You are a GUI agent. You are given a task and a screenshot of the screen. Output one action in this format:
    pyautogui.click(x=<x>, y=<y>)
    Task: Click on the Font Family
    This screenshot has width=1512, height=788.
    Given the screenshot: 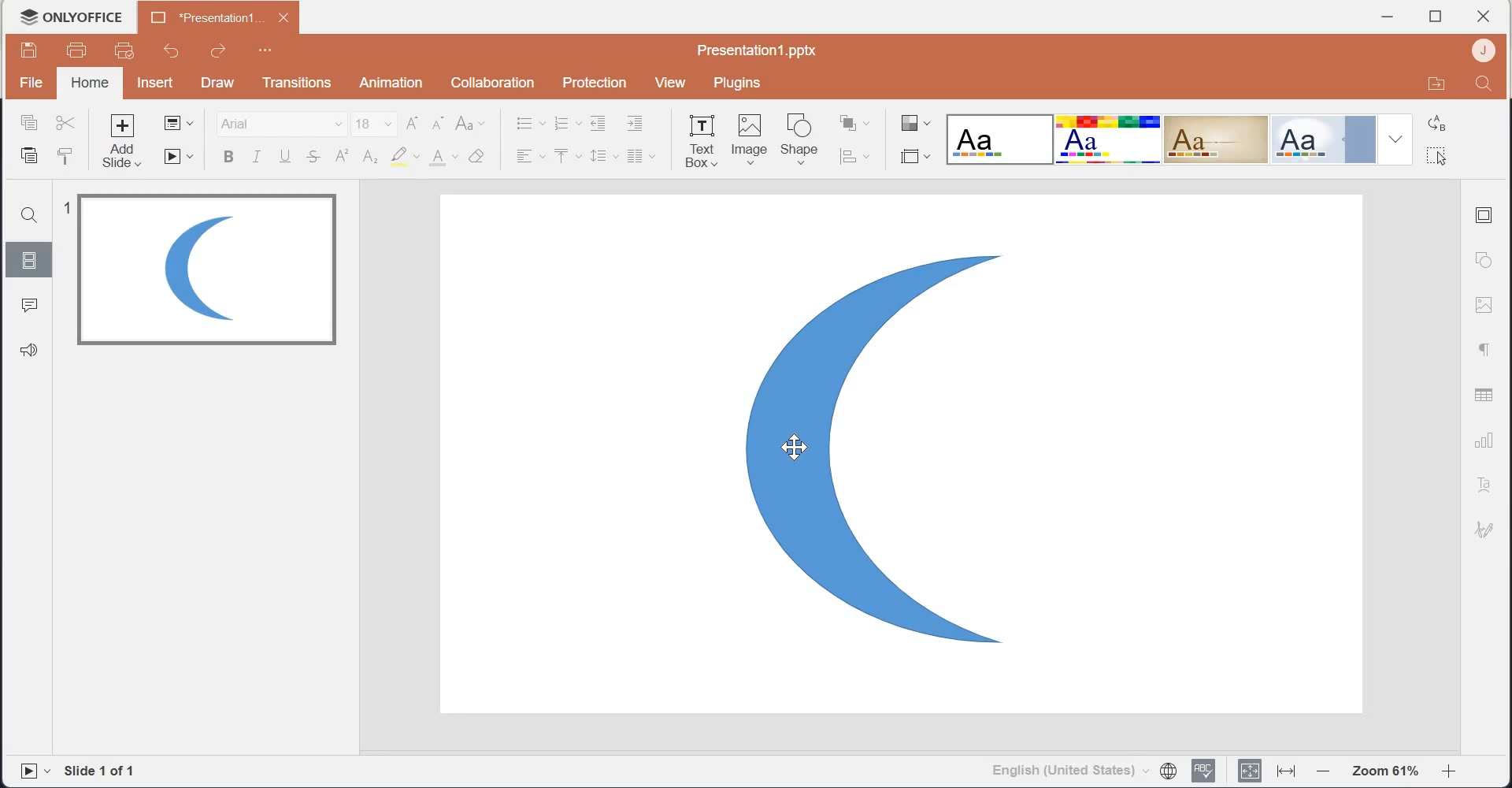 What is the action you would take?
    pyautogui.click(x=283, y=124)
    